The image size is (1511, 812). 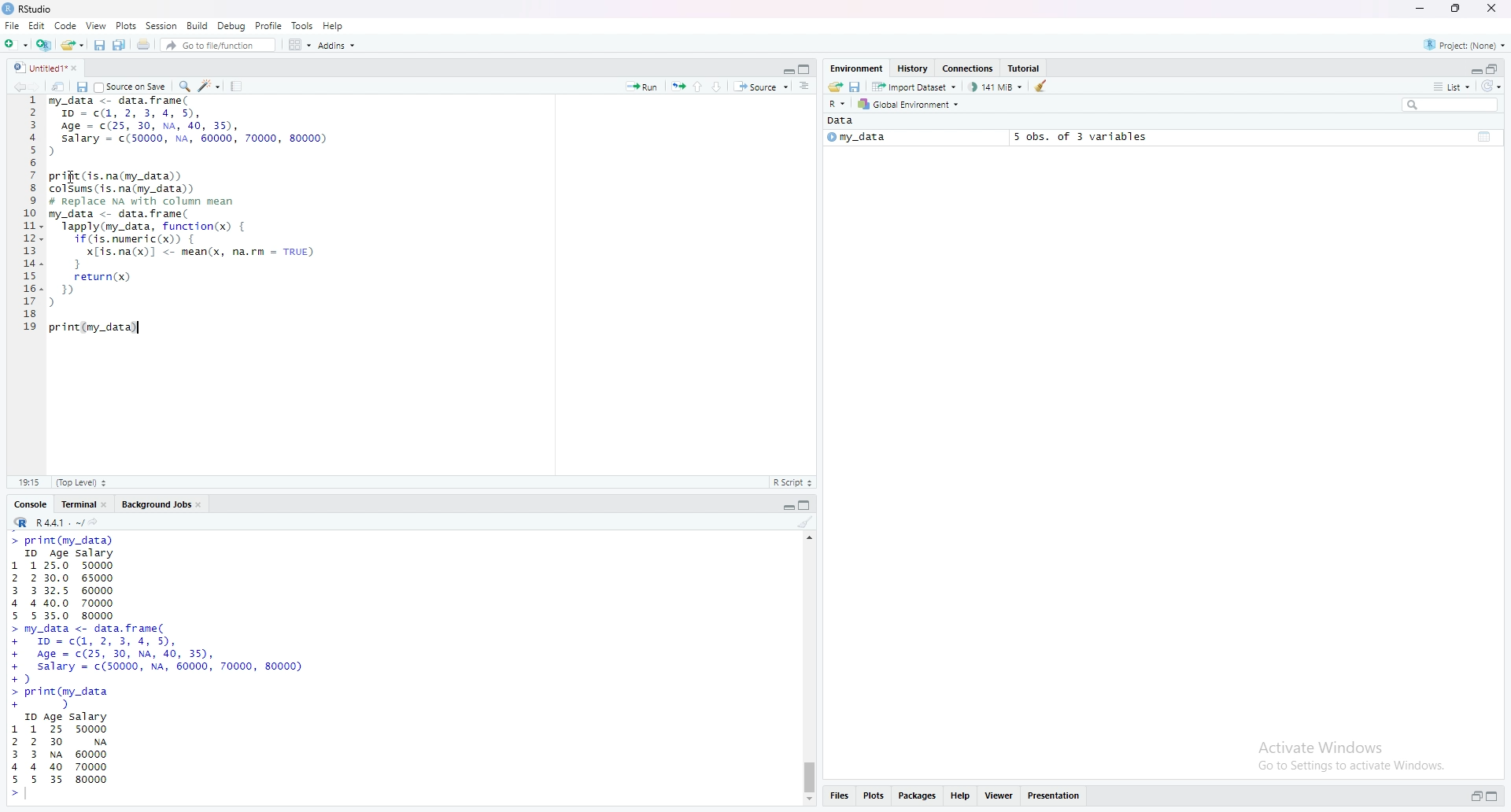 I want to click on go back, so click(x=16, y=87).